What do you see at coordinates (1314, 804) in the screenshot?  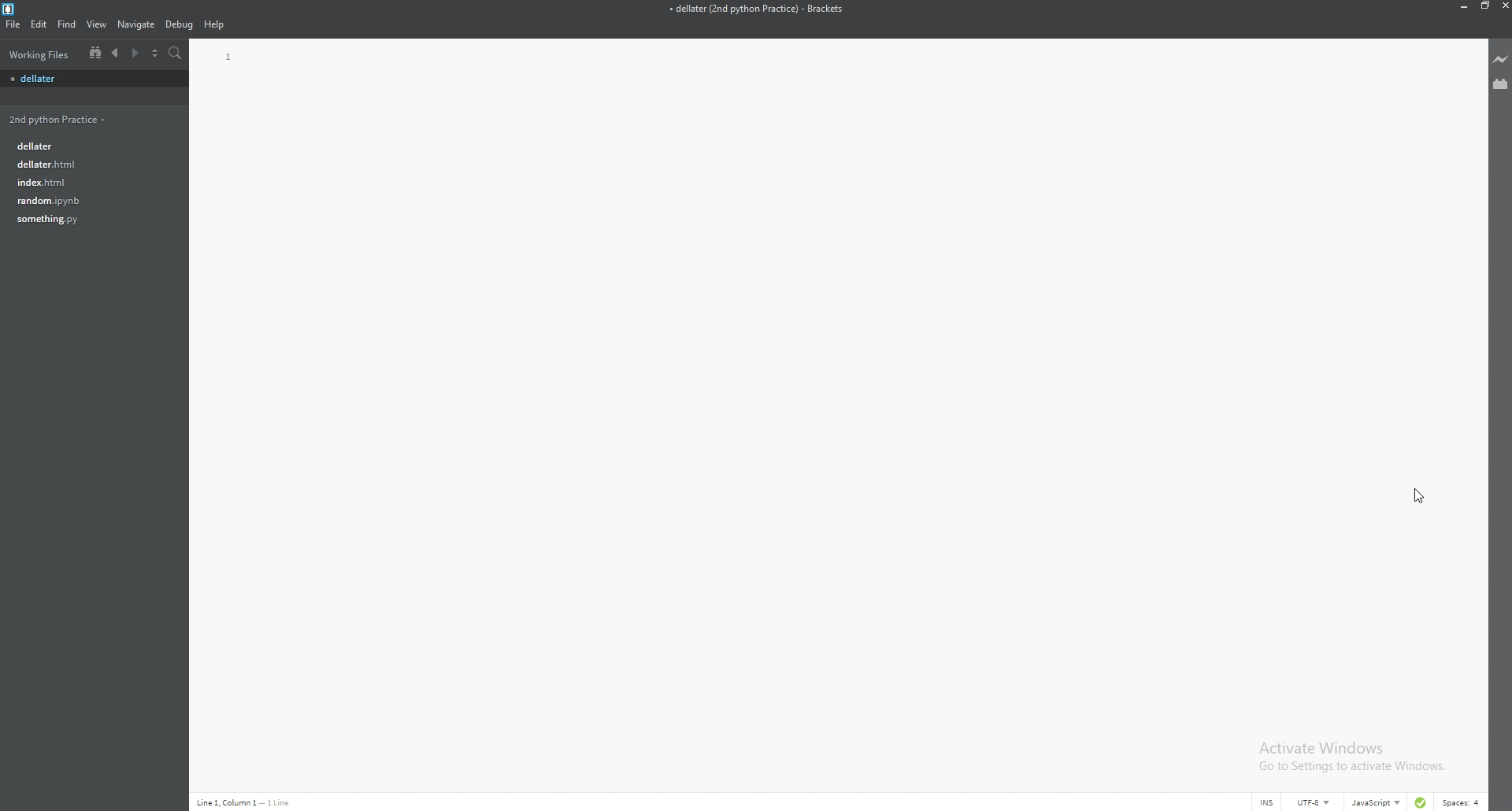 I see `encoding` at bounding box center [1314, 804].